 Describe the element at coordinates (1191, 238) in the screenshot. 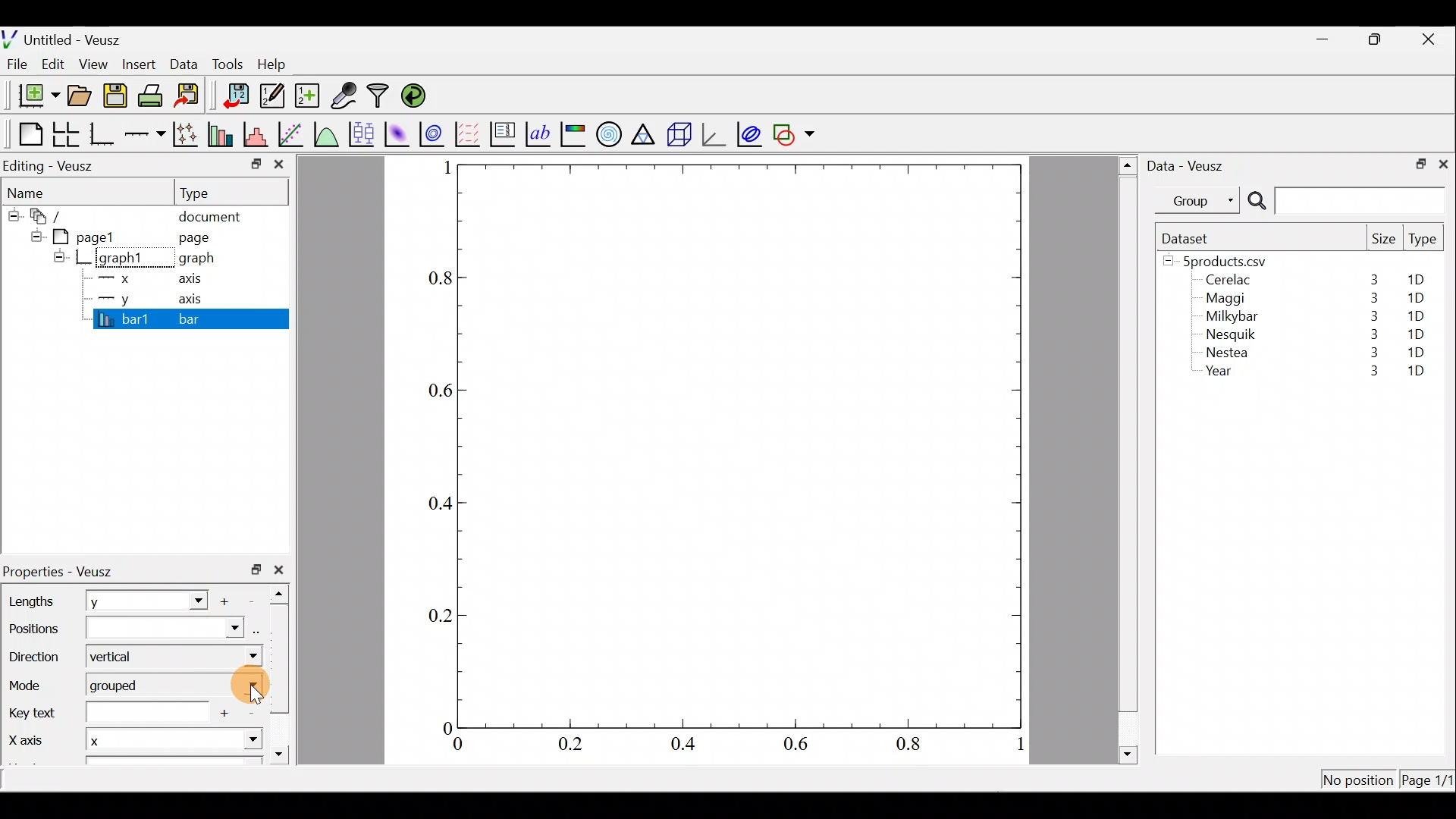

I see `Dataset` at that location.